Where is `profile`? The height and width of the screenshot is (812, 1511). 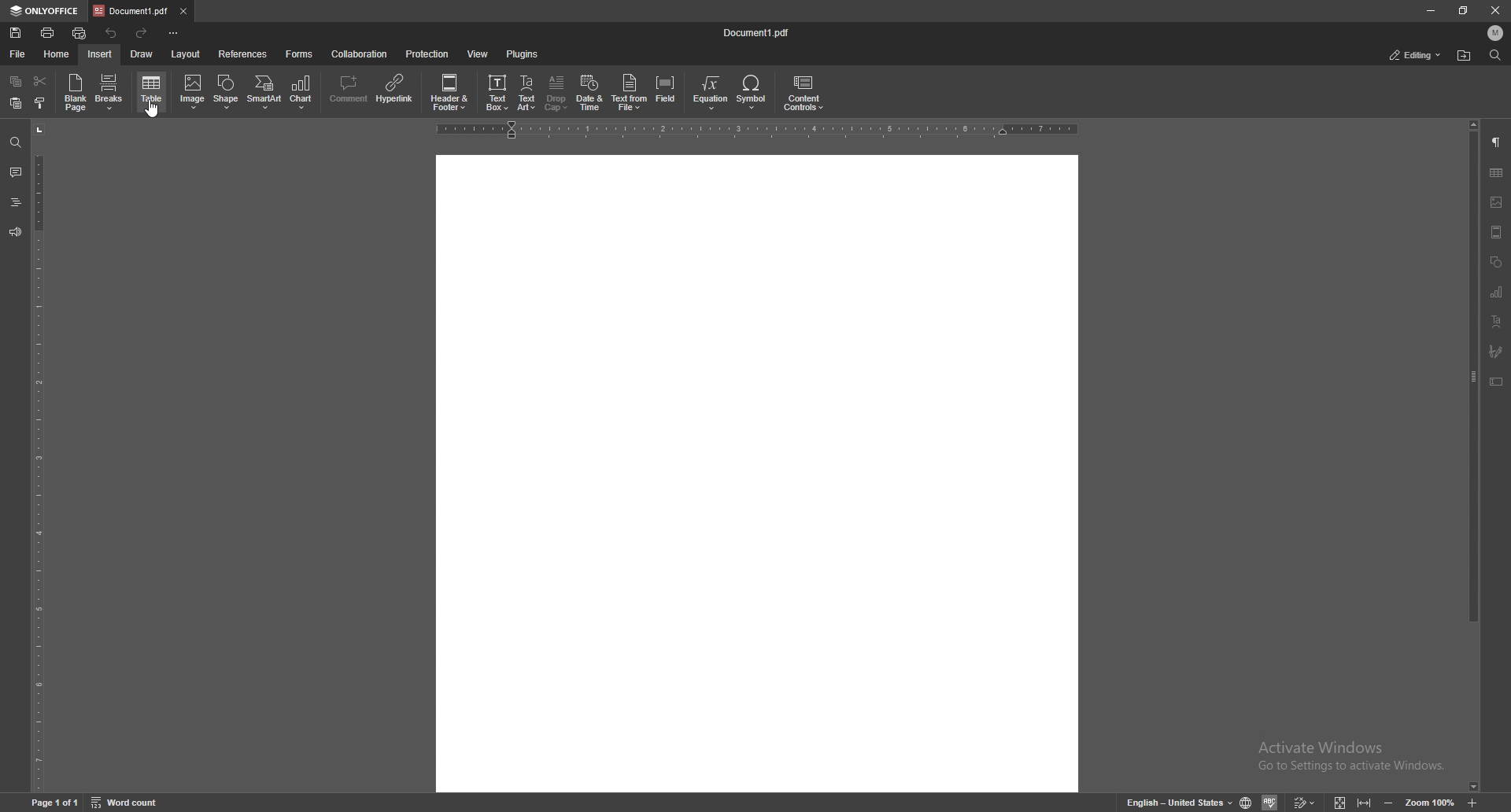 profile is located at coordinates (1497, 32).